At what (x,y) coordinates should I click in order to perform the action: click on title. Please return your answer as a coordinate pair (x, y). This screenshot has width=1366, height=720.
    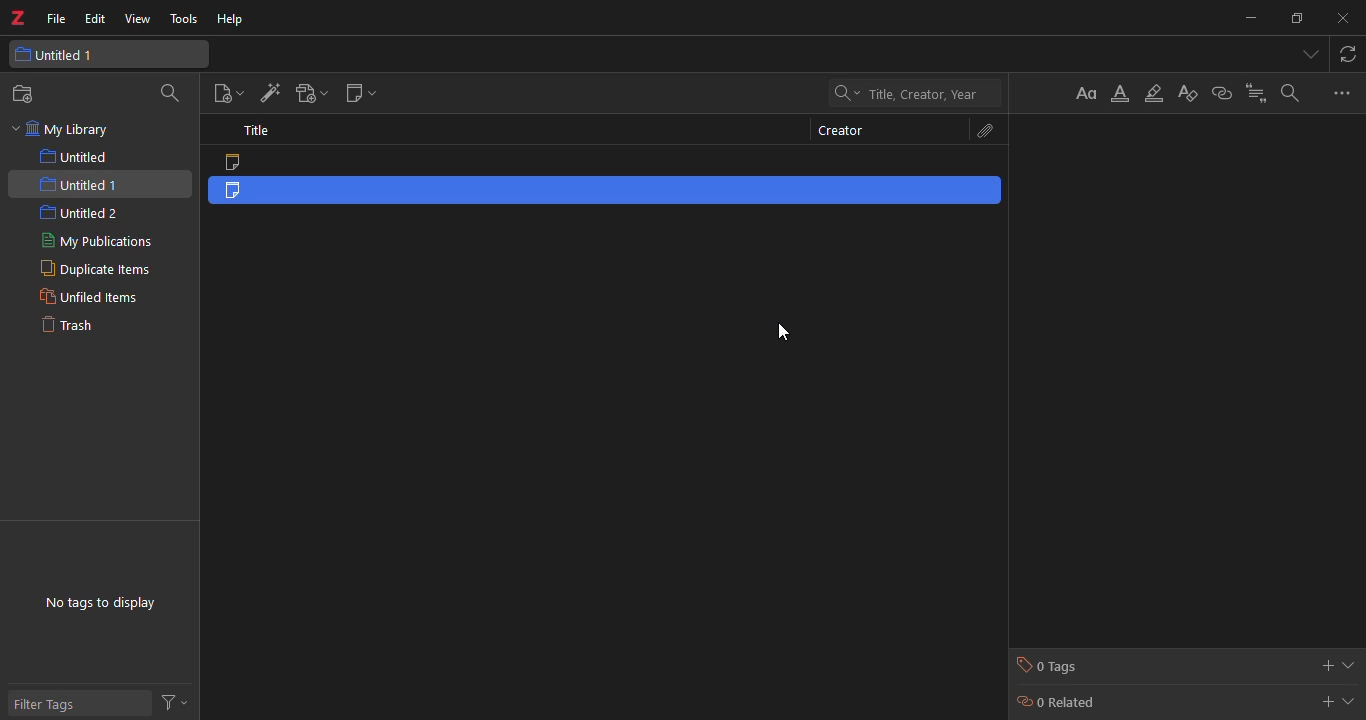
    Looking at the image, I should click on (252, 132).